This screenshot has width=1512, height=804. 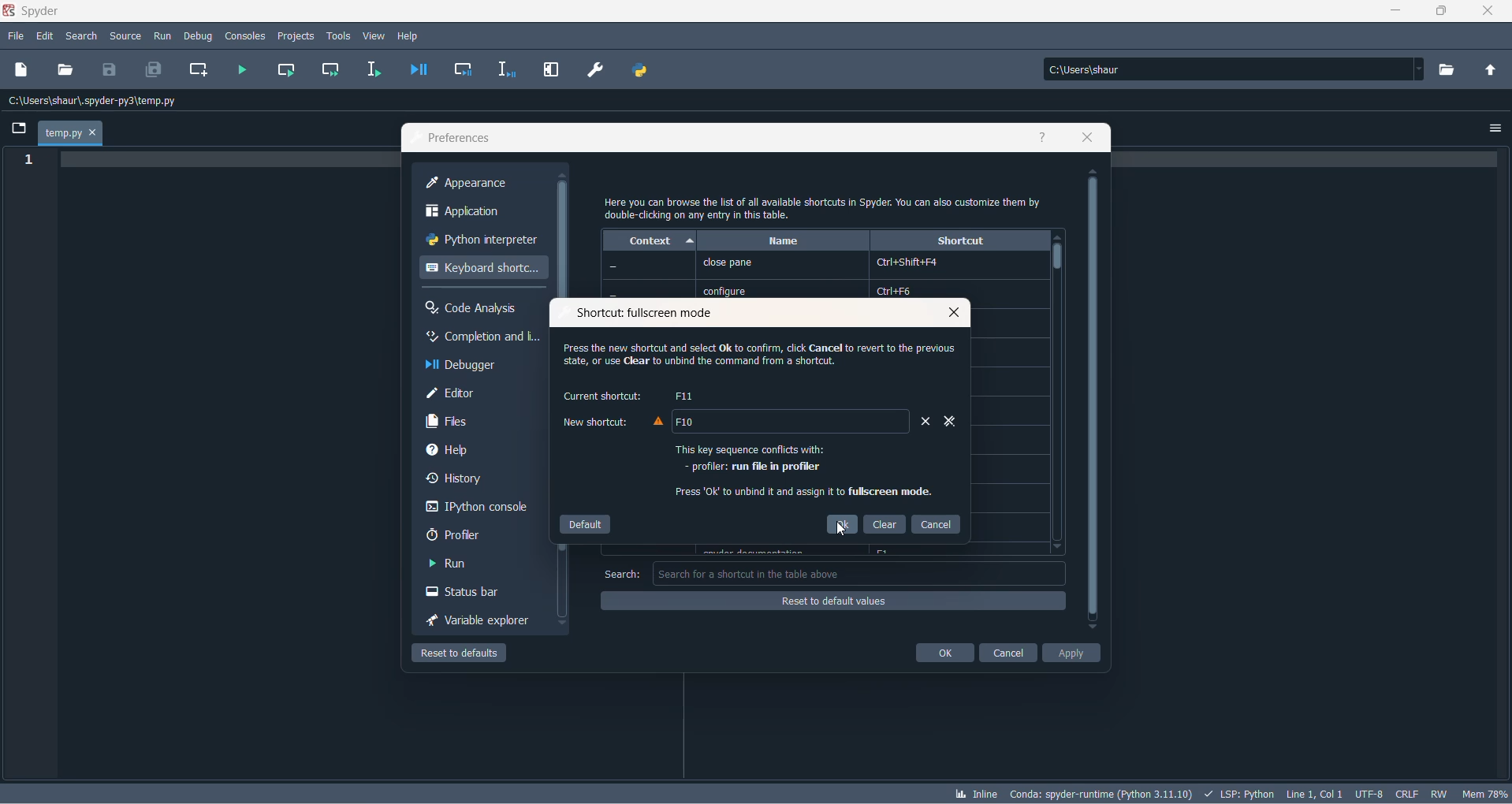 What do you see at coordinates (650, 241) in the screenshot?
I see `context heading` at bounding box center [650, 241].